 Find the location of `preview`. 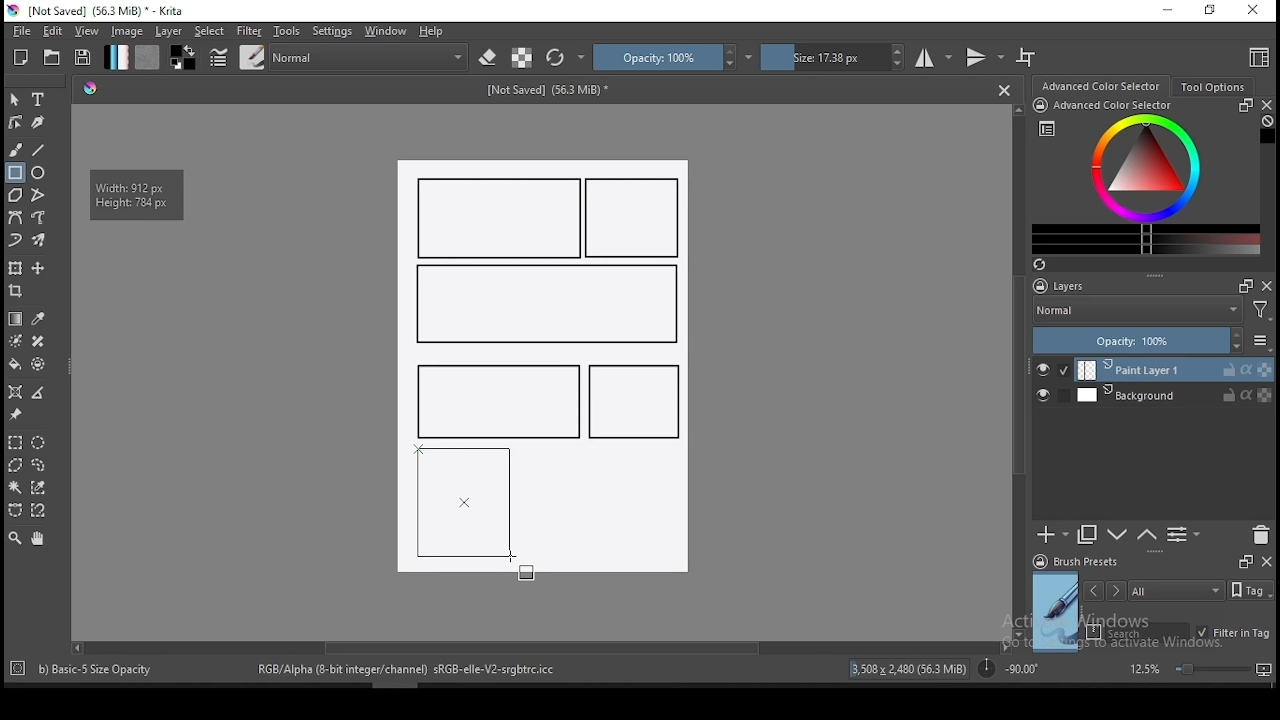

preview is located at coordinates (1056, 612).